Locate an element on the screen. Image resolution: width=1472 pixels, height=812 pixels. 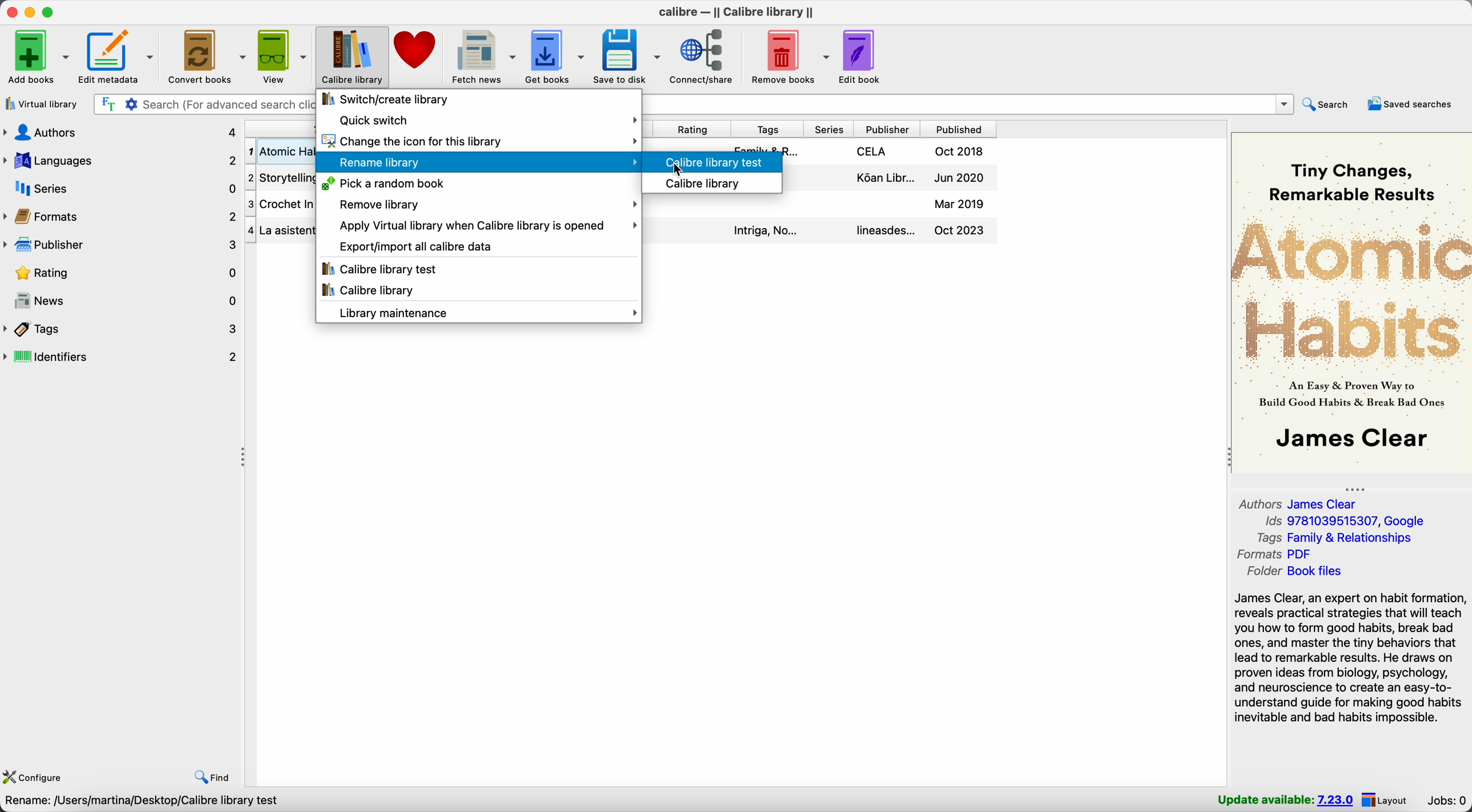
La Asistenta book is located at coordinates (281, 230).